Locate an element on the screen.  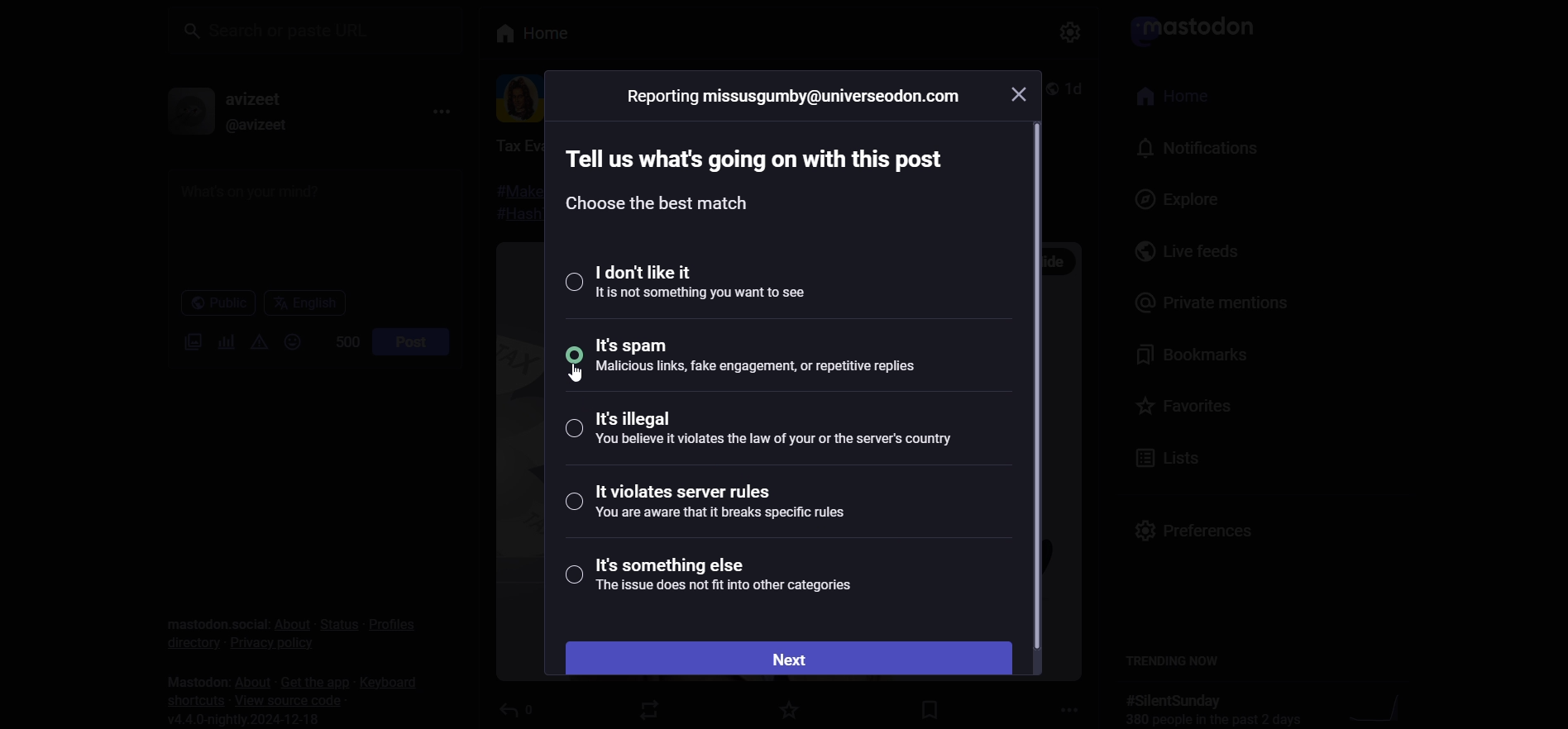
scroll bar is located at coordinates (1031, 386).